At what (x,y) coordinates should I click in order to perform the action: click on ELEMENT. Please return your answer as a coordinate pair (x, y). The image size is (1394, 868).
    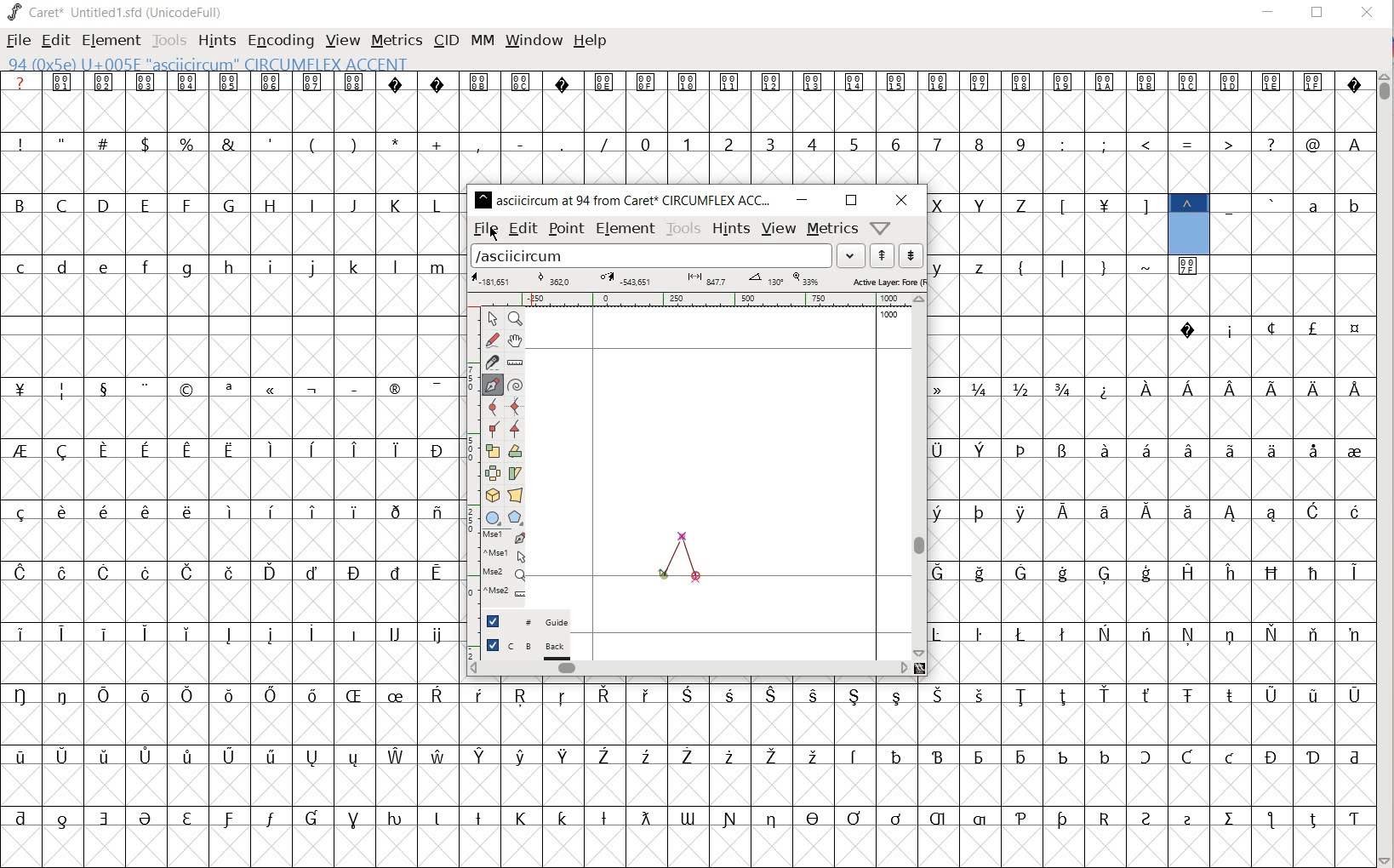
    Looking at the image, I should click on (109, 40).